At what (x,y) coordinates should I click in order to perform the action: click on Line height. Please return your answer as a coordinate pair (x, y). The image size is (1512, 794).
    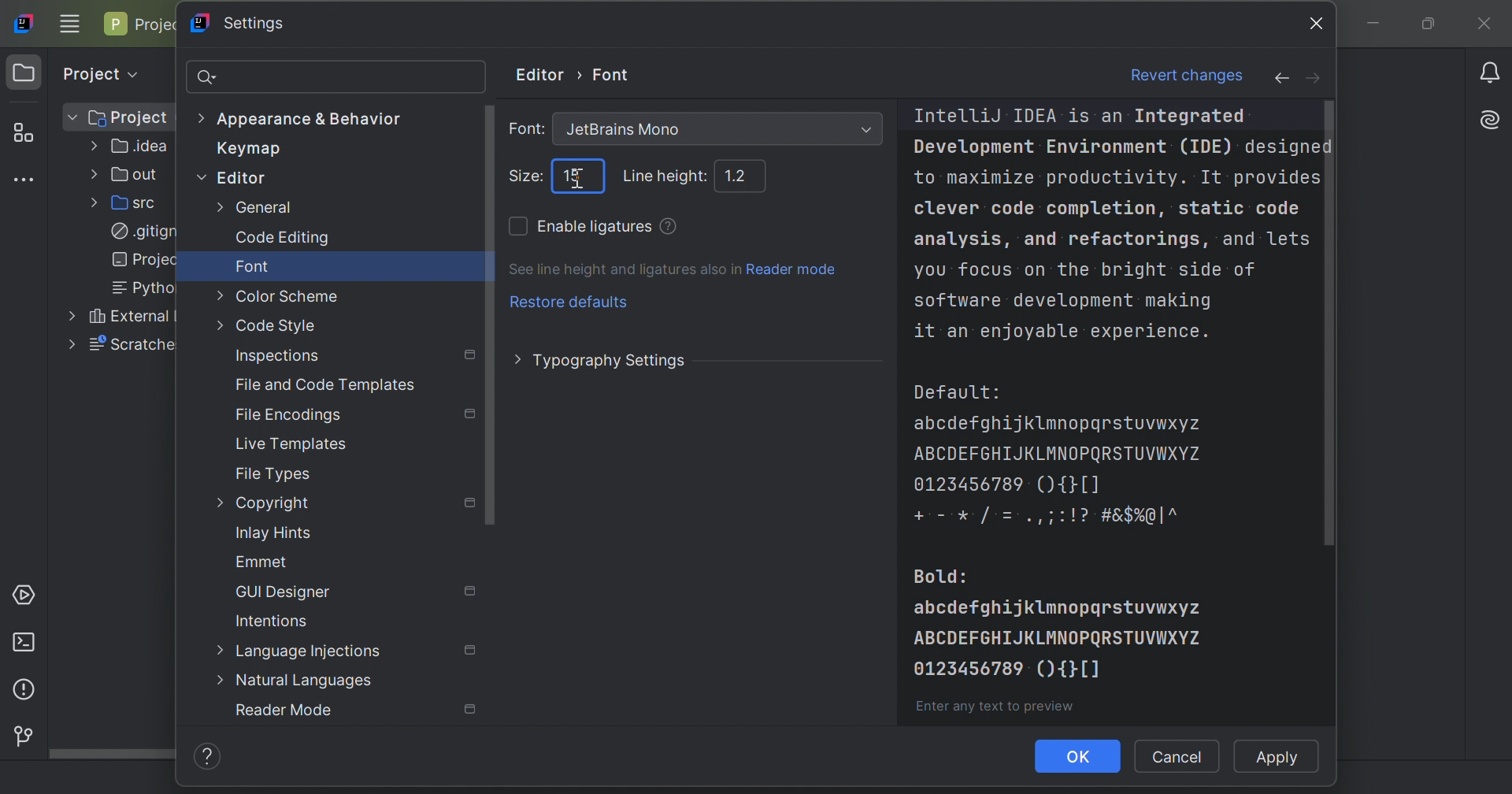
    Looking at the image, I should click on (666, 177).